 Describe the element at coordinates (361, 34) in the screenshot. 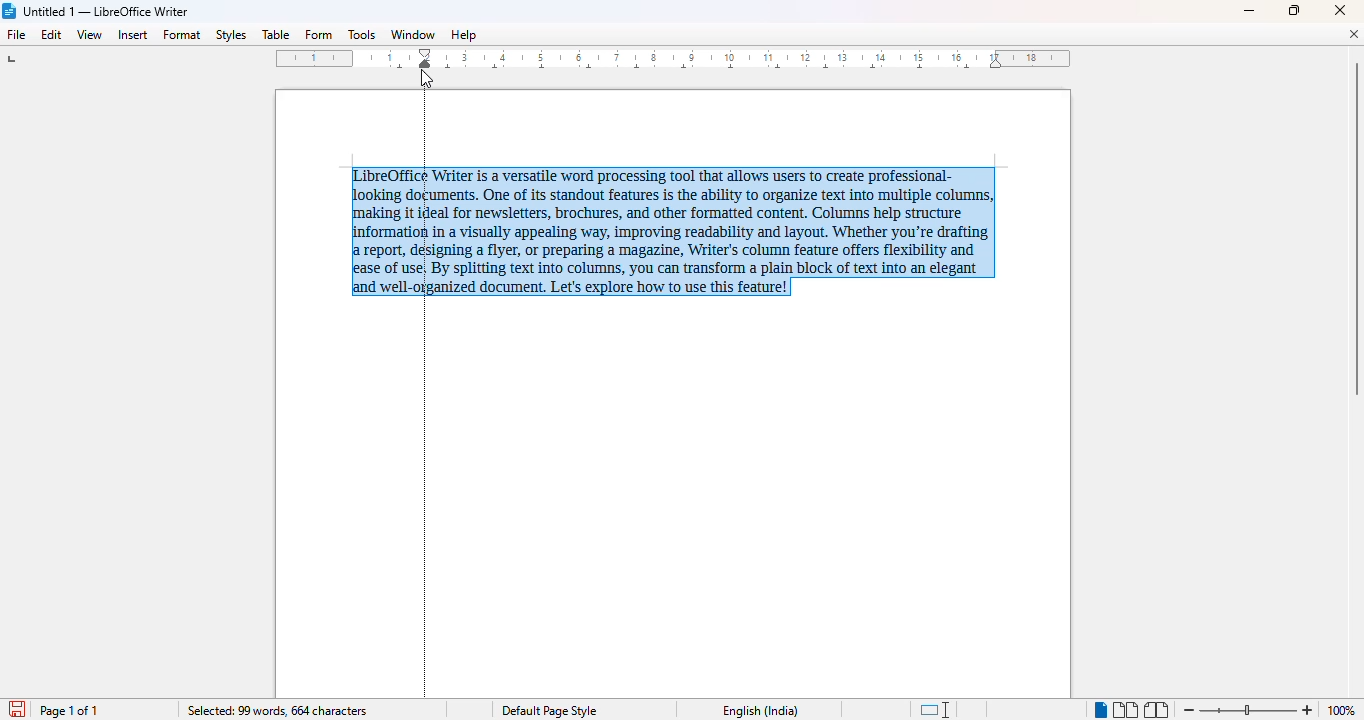

I see `tools` at that location.